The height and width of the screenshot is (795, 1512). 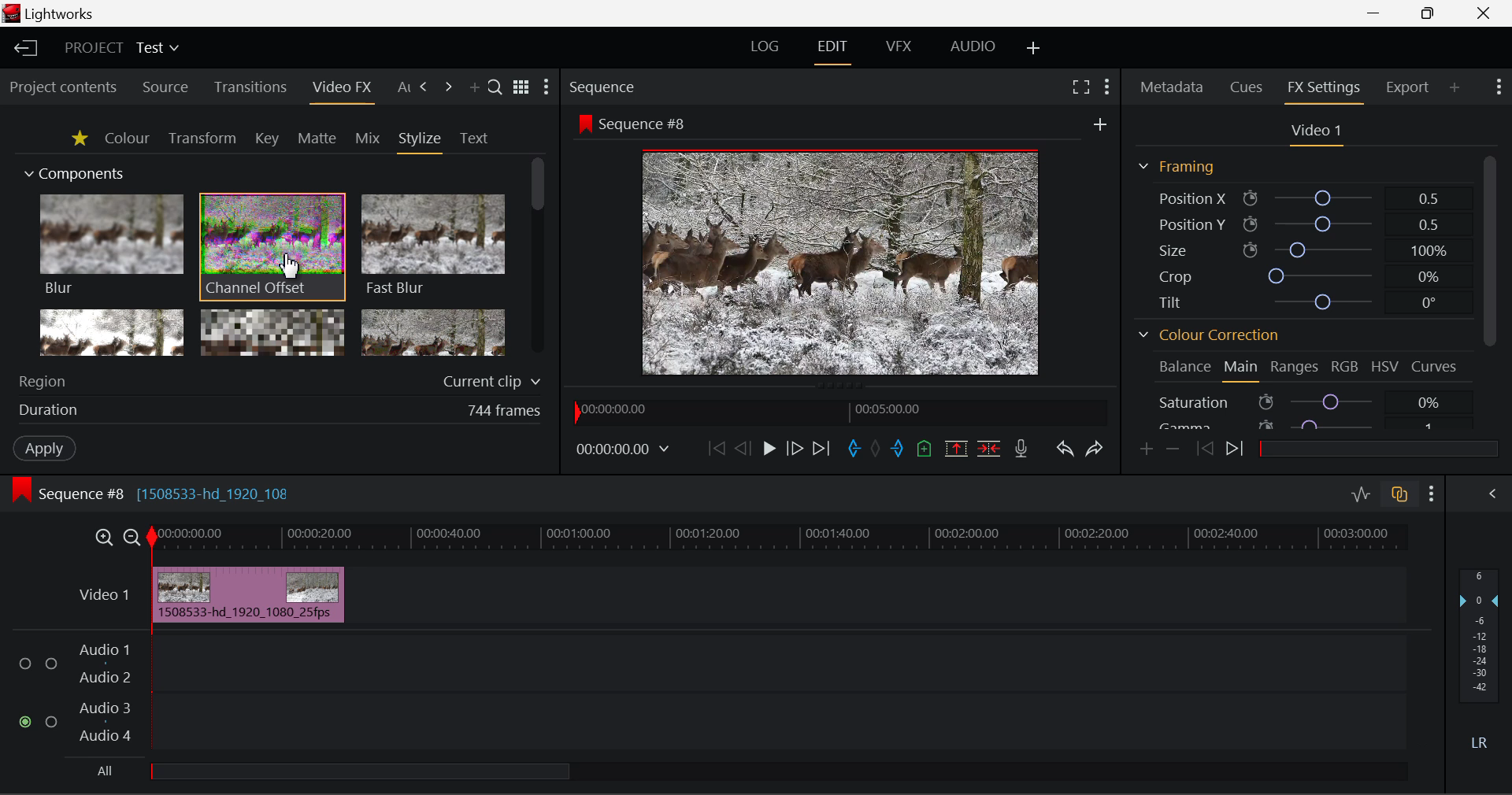 I want to click on Components Section, so click(x=72, y=171).